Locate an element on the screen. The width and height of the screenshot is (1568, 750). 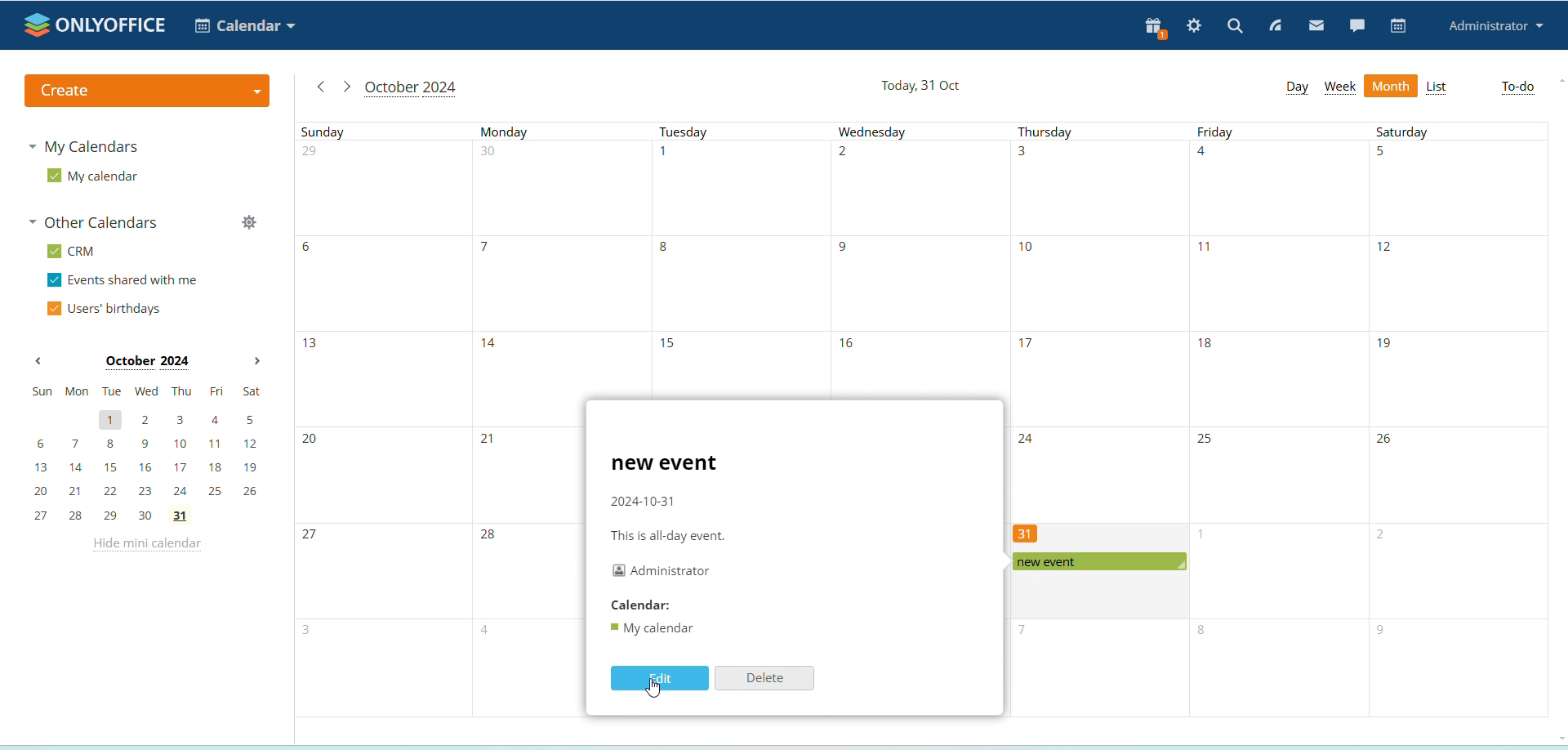
list view is located at coordinates (1437, 88).